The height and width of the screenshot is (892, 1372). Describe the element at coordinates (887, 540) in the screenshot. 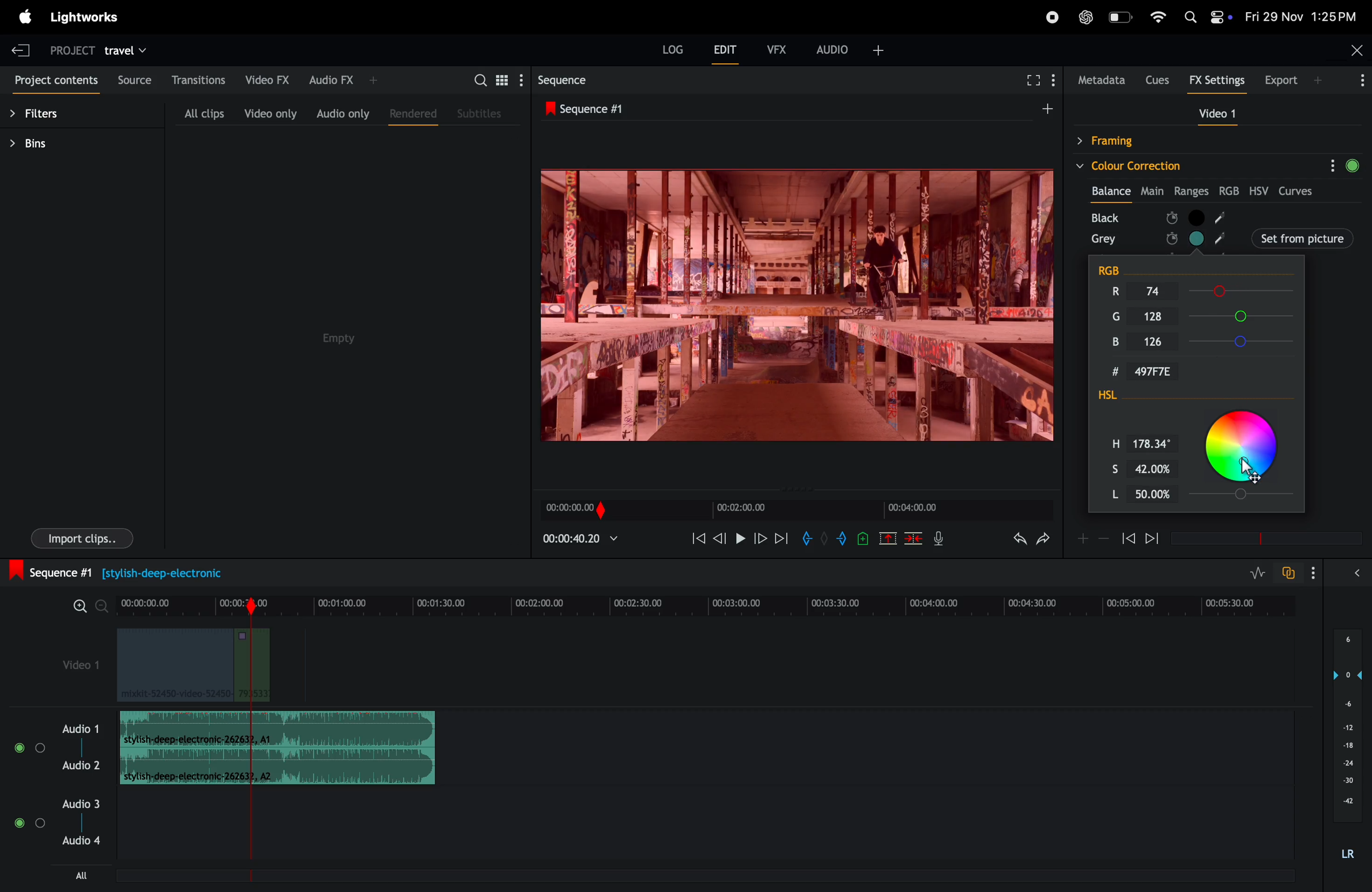

I see `cut` at that location.